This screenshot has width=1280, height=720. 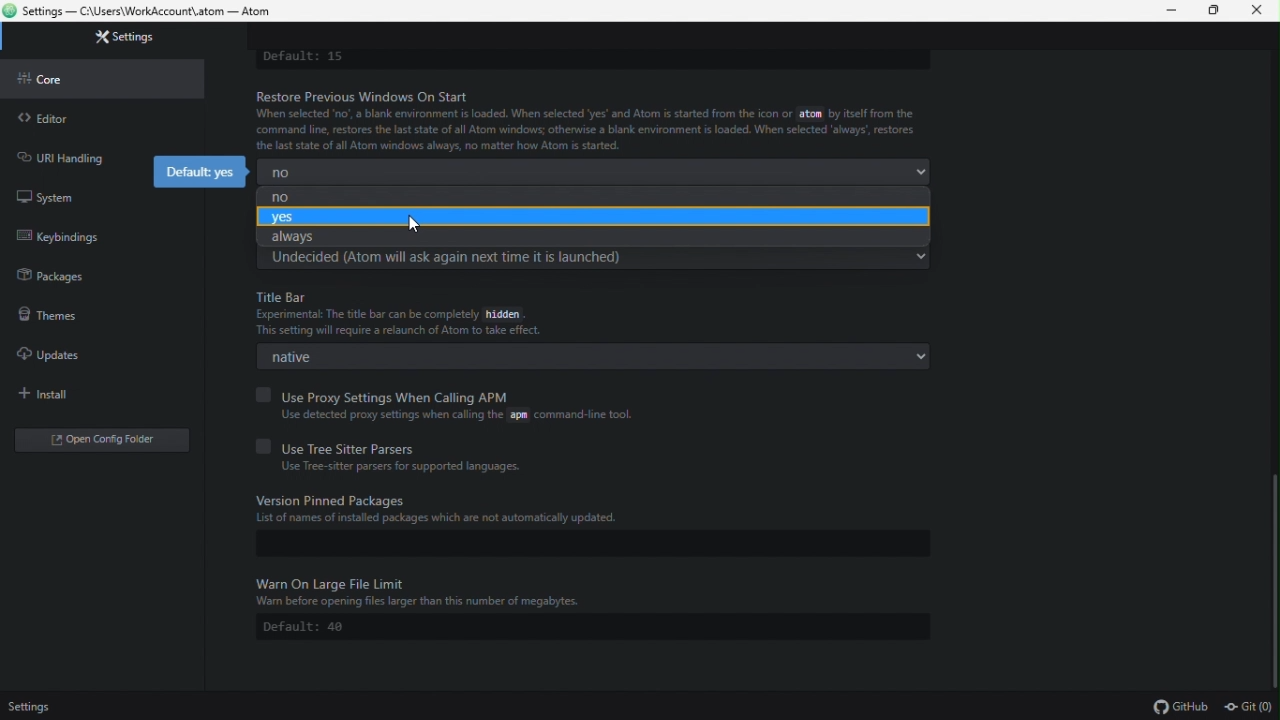 I want to click on core , so click(x=89, y=80).